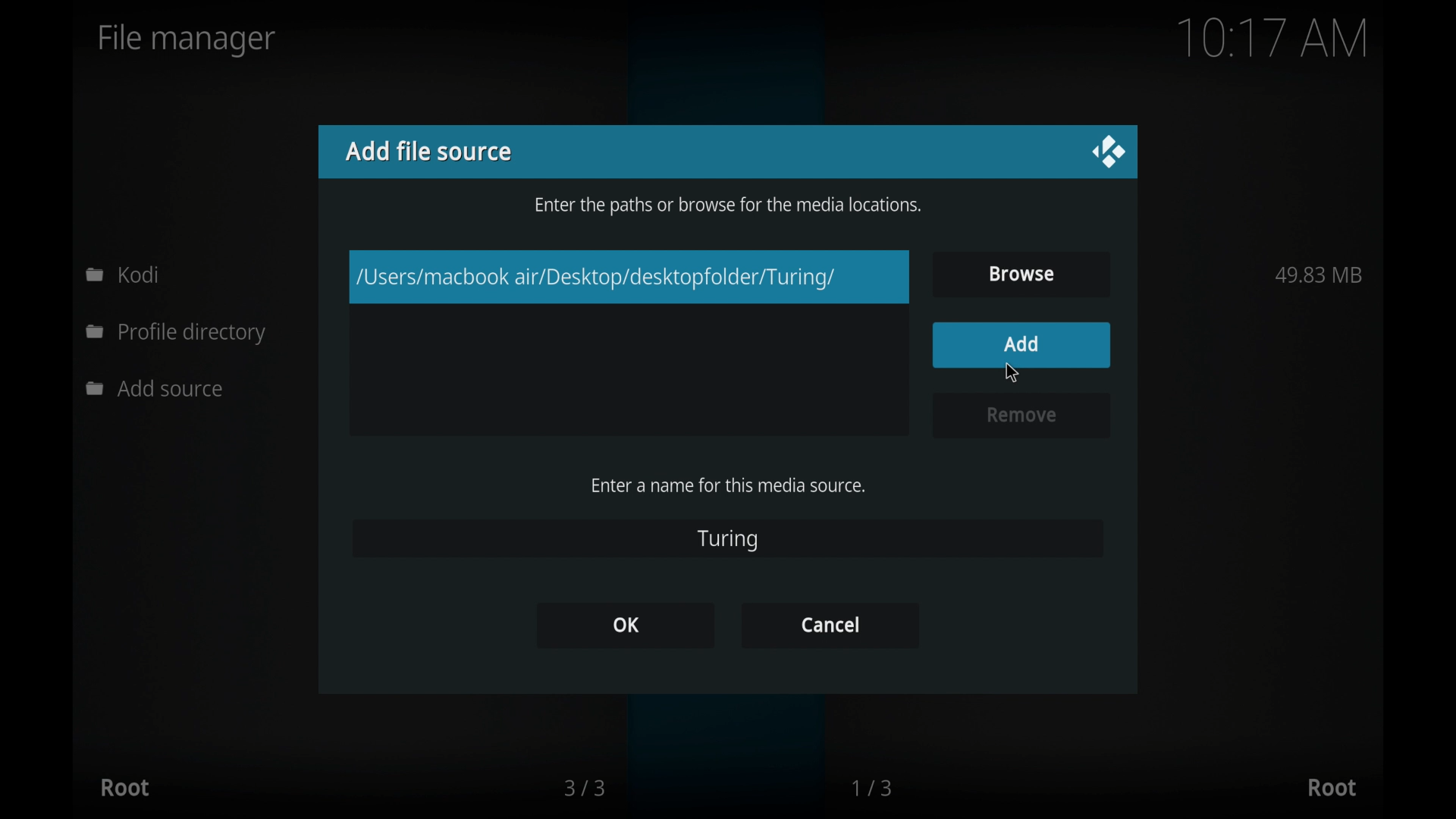 The width and height of the screenshot is (1456, 819). I want to click on turing, so click(730, 539).